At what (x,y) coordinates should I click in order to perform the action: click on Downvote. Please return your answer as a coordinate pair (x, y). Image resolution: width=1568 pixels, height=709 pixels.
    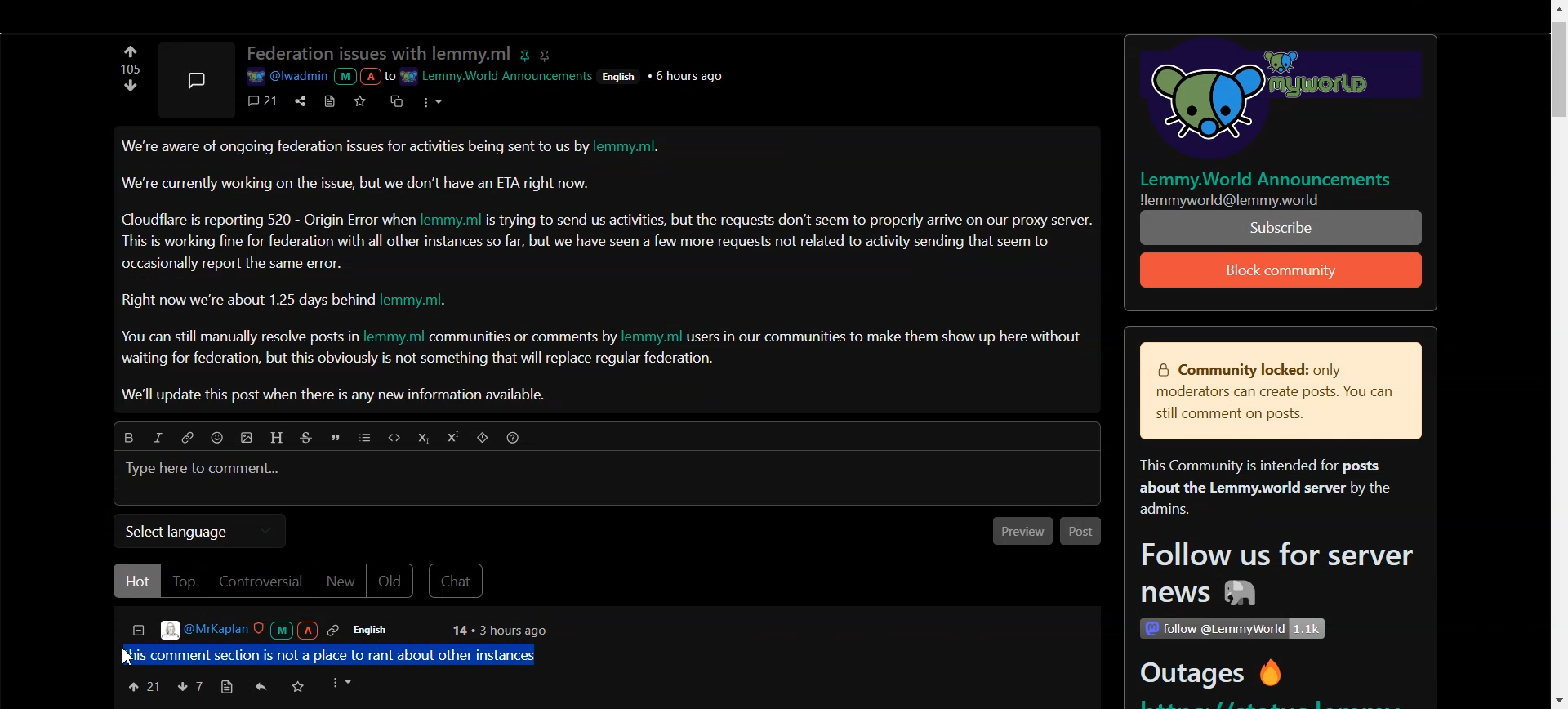
    Looking at the image, I should click on (189, 686).